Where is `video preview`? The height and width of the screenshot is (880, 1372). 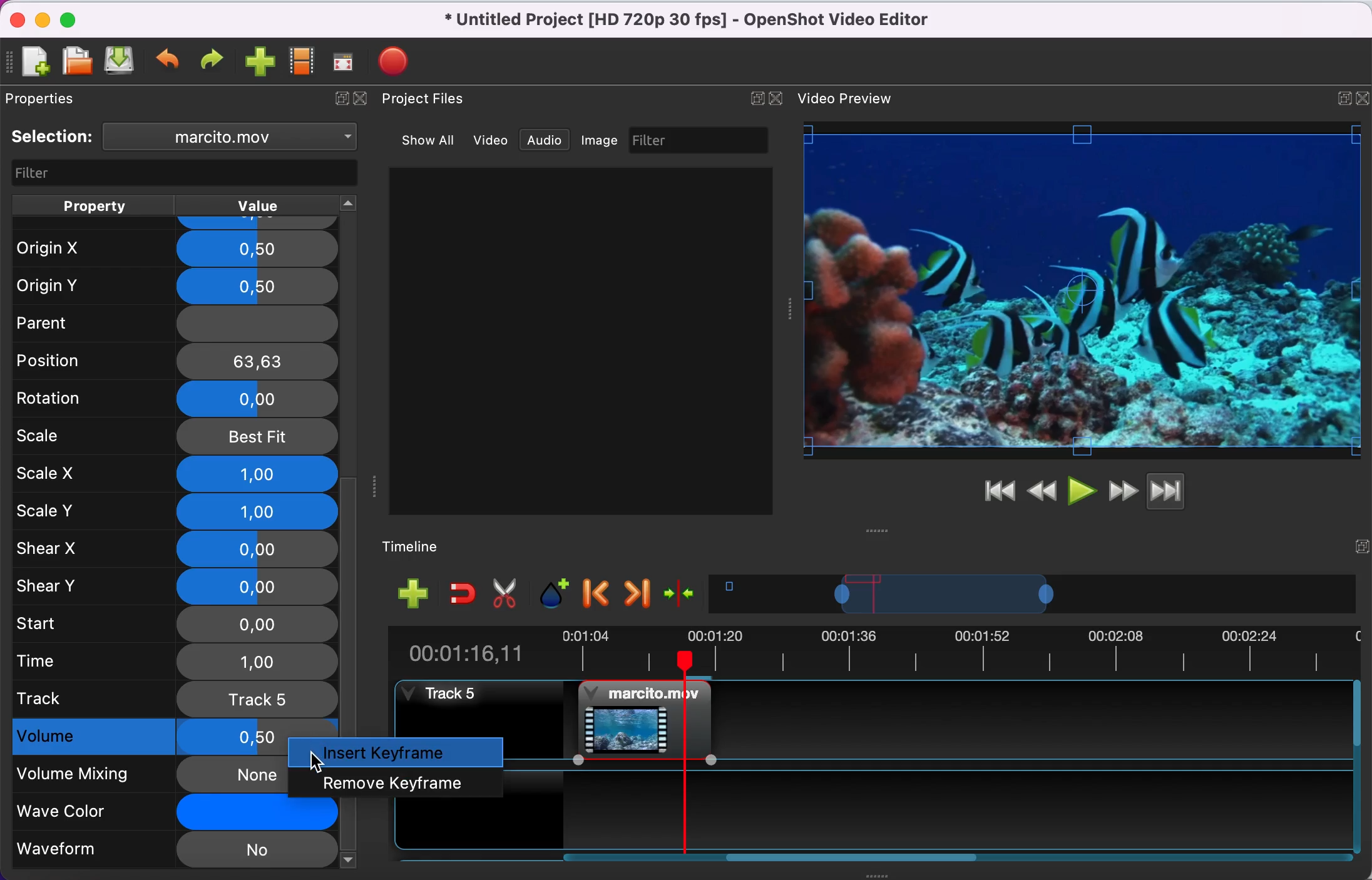 video preview is located at coordinates (850, 100).